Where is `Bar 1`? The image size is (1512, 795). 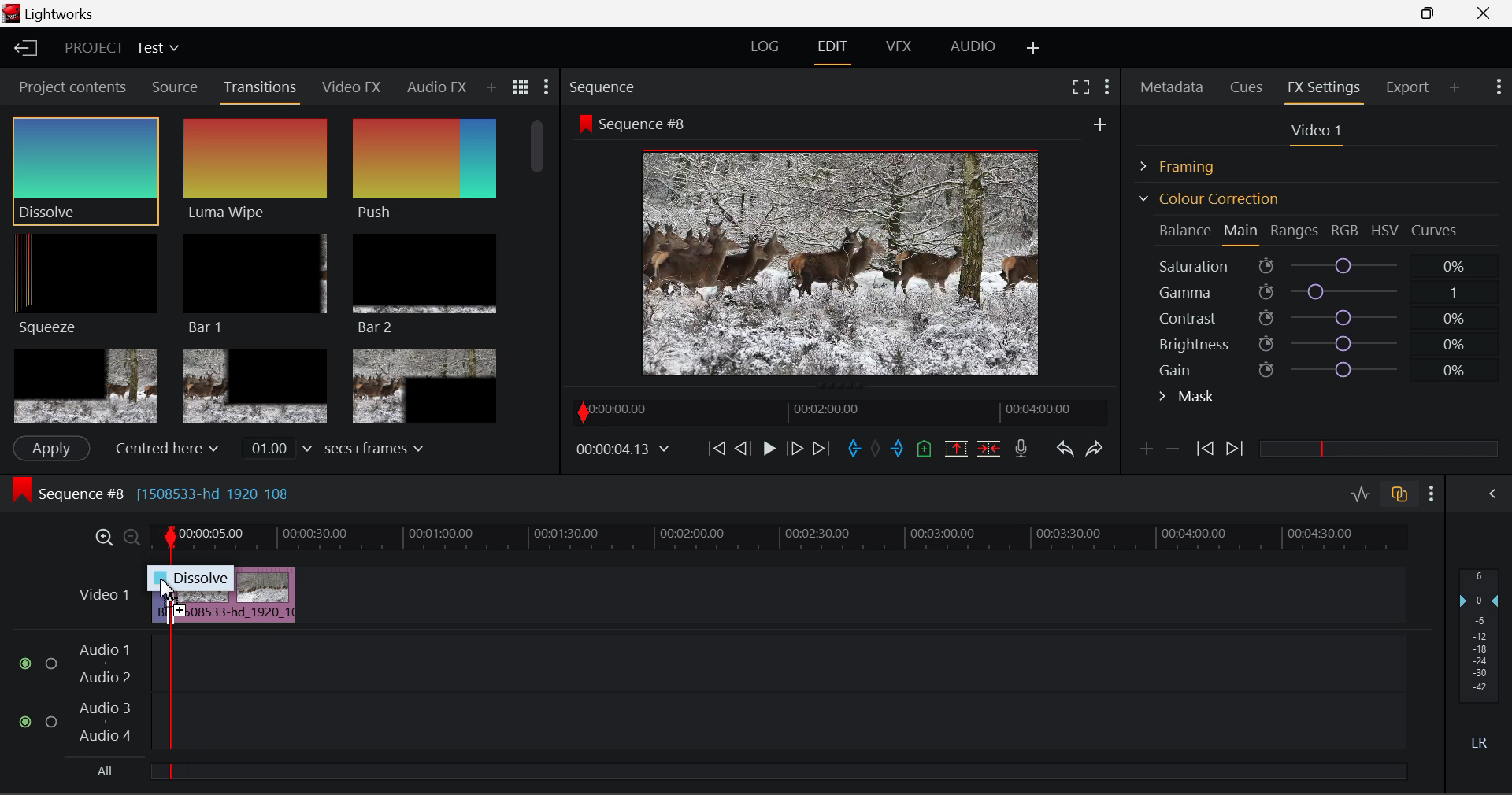 Bar 1 is located at coordinates (251, 284).